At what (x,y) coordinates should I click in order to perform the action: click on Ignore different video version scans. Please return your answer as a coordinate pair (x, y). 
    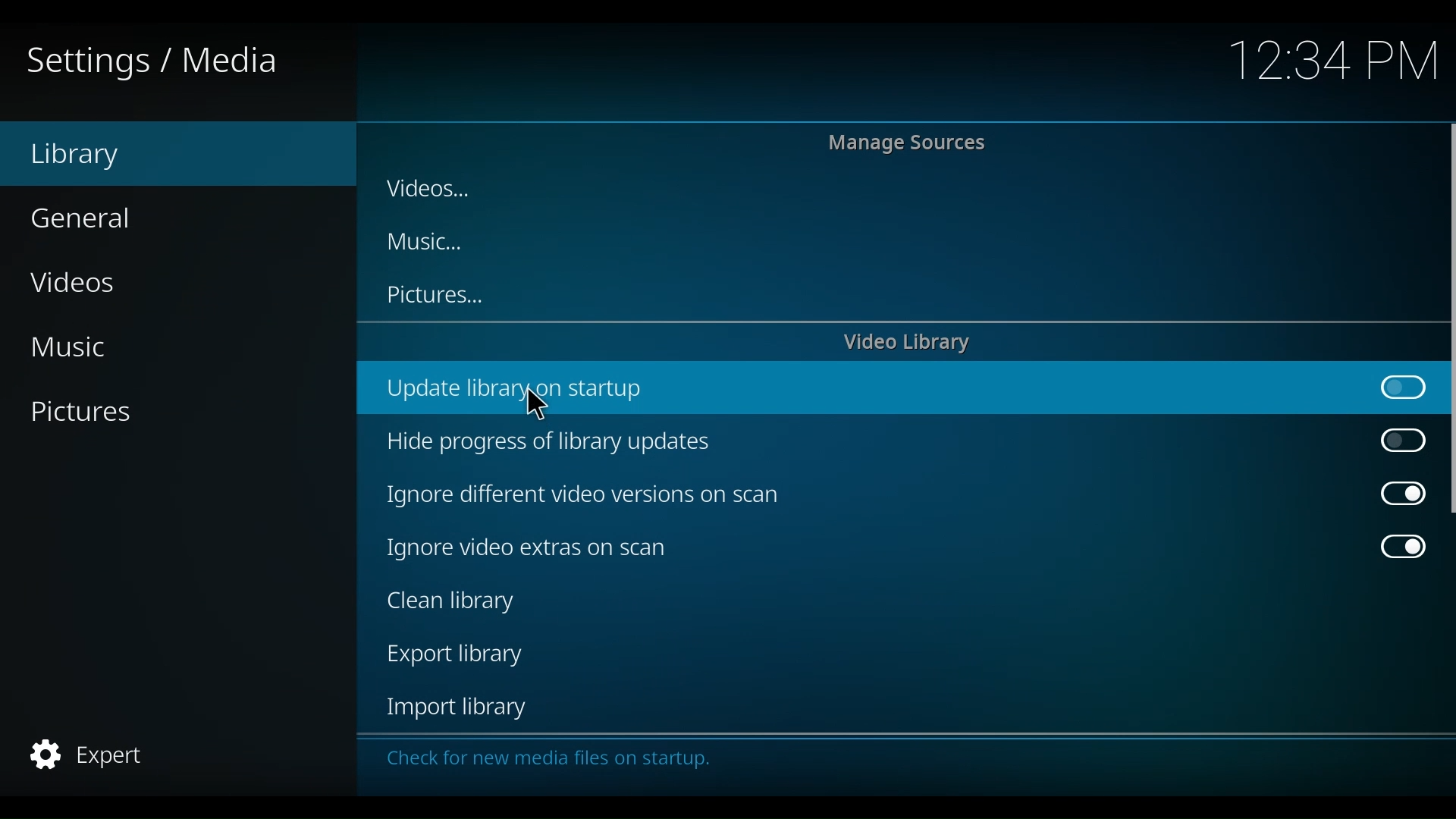
    Looking at the image, I should click on (871, 496).